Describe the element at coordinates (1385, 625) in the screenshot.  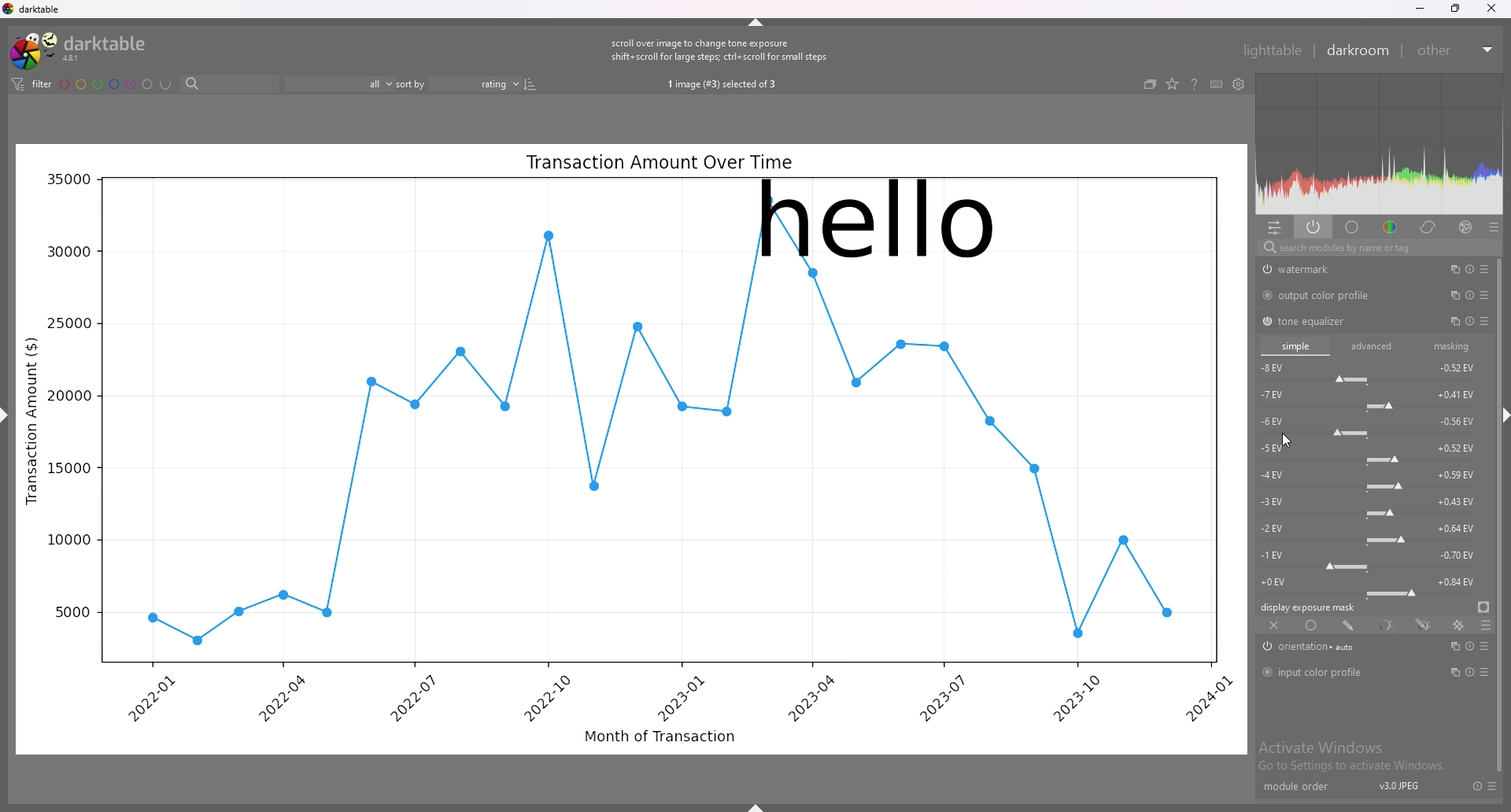
I see `parametric mask` at that location.